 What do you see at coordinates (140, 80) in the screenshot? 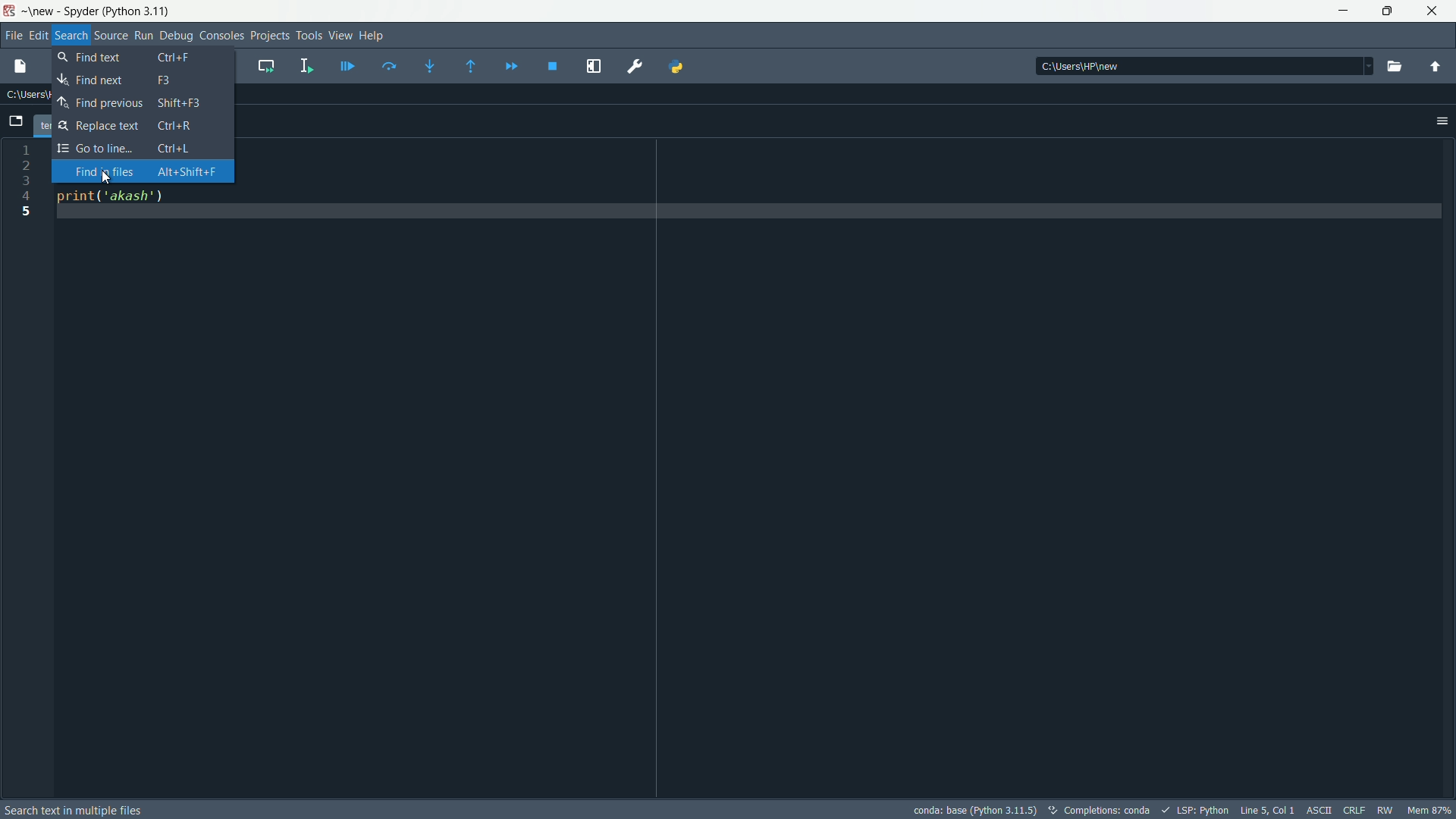
I see `find text` at bounding box center [140, 80].